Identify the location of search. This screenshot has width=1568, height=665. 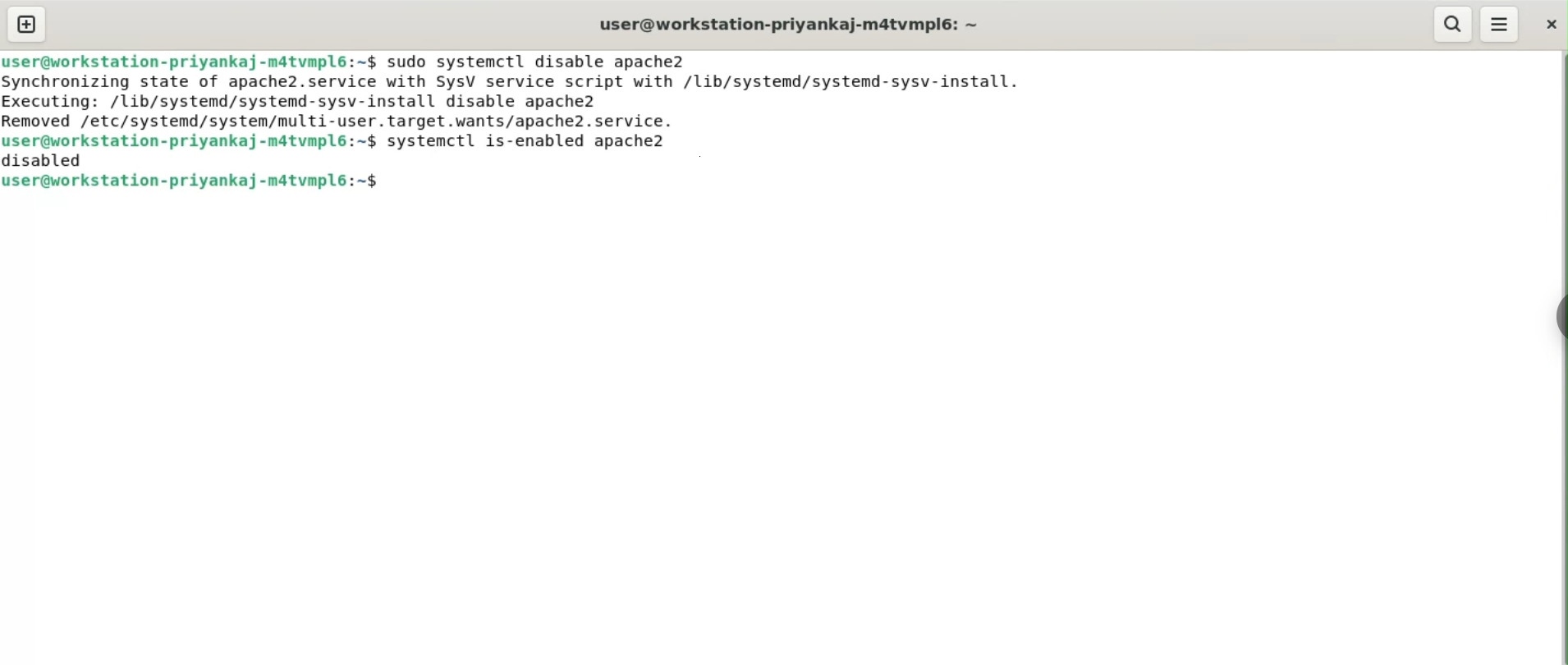
(1455, 25).